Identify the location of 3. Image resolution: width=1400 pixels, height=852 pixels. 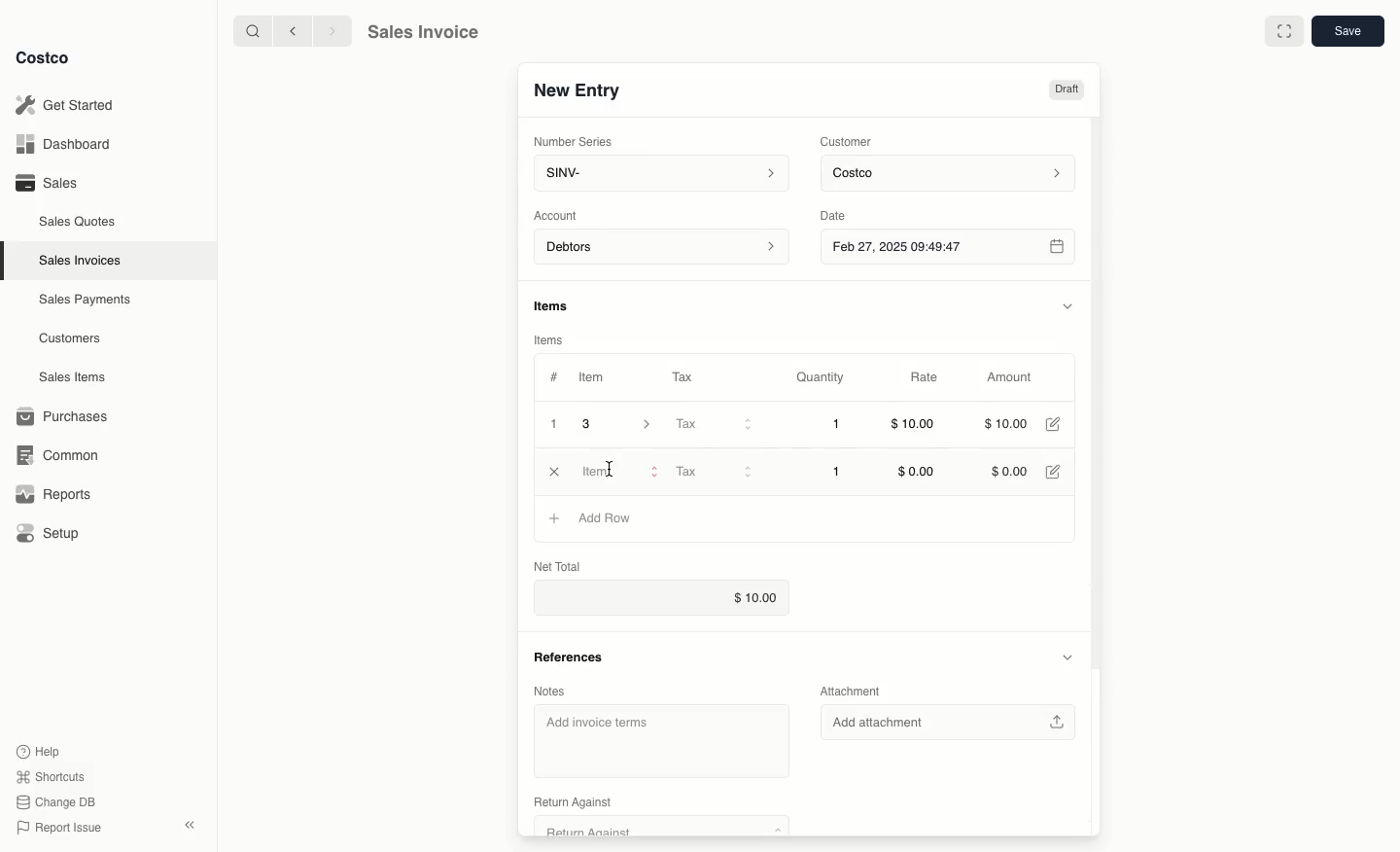
(622, 424).